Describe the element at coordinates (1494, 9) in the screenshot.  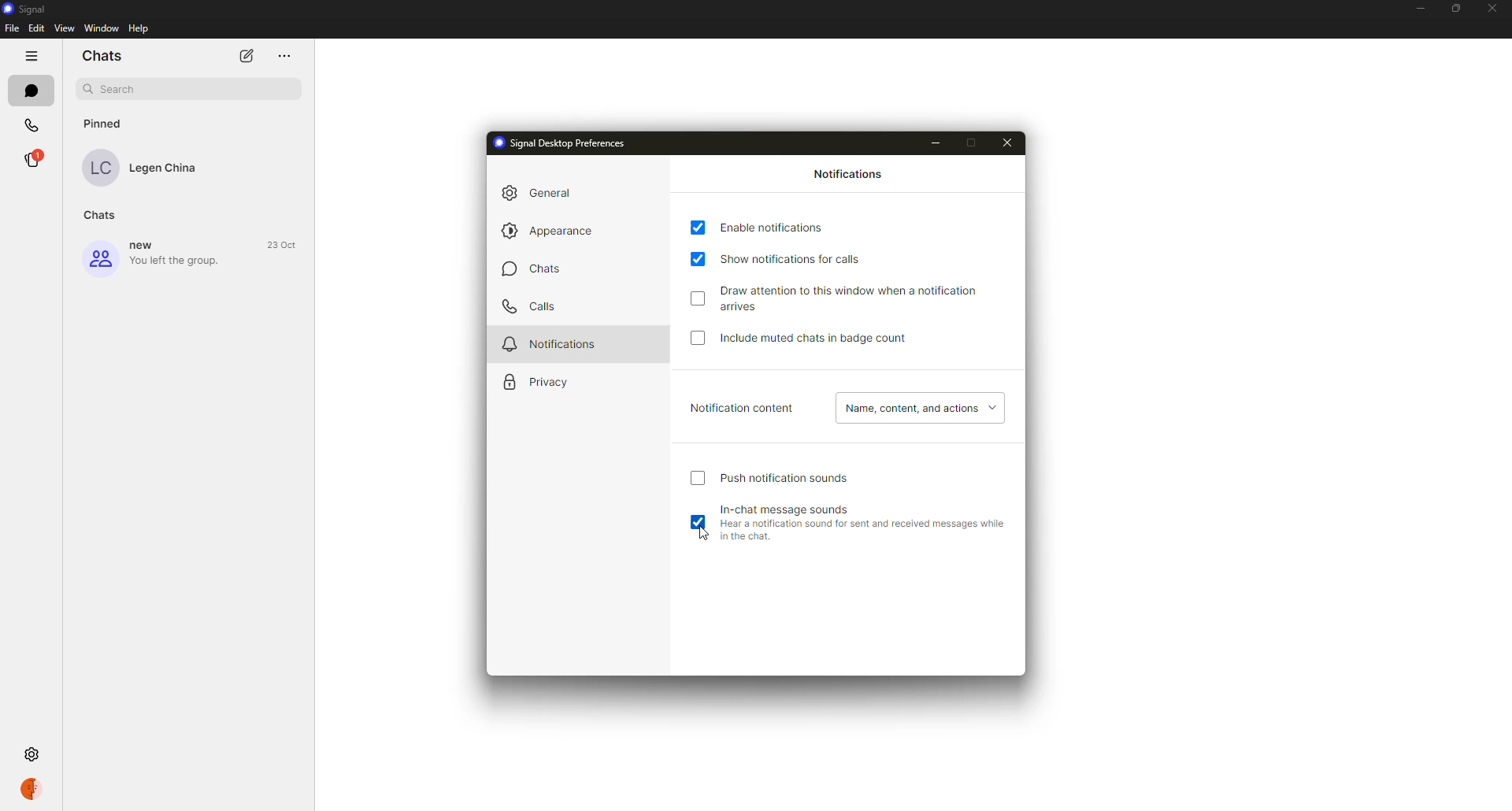
I see `close` at that location.